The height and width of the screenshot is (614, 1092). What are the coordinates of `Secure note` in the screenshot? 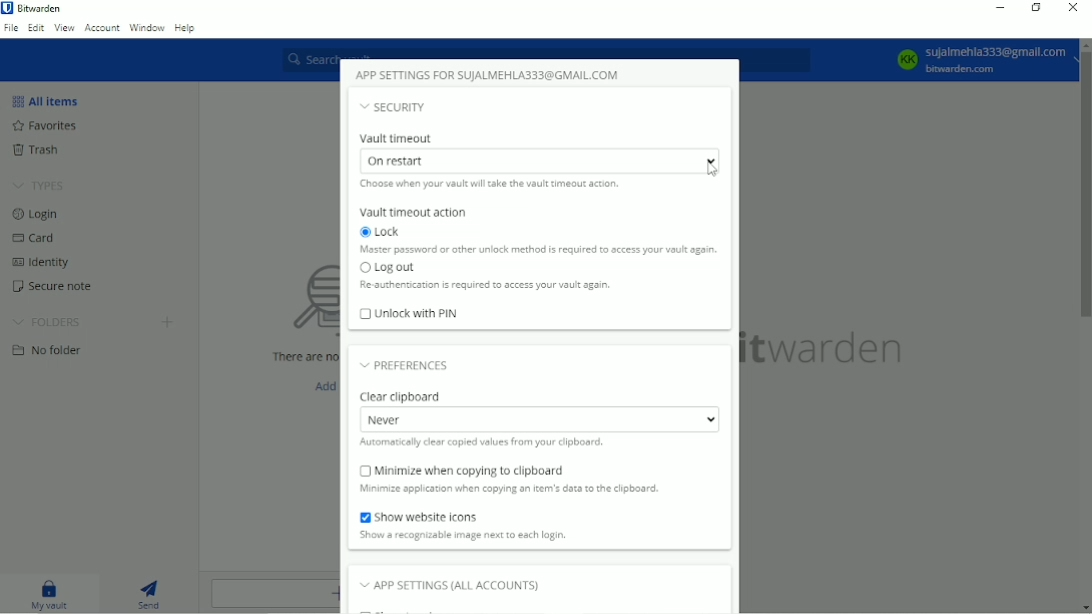 It's located at (51, 284).